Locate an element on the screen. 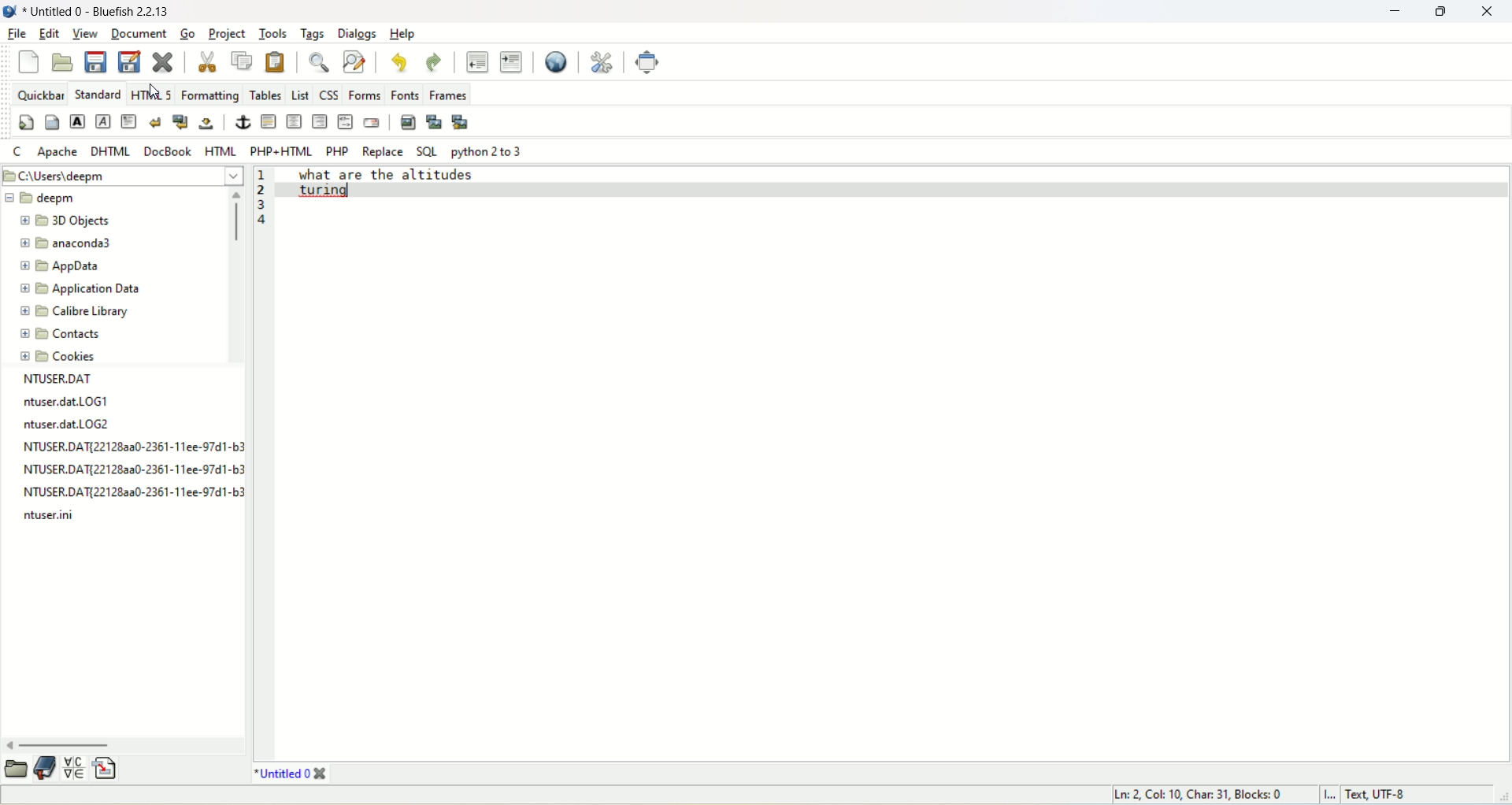 This screenshot has height=805, width=1512. show find bar is located at coordinates (321, 64).